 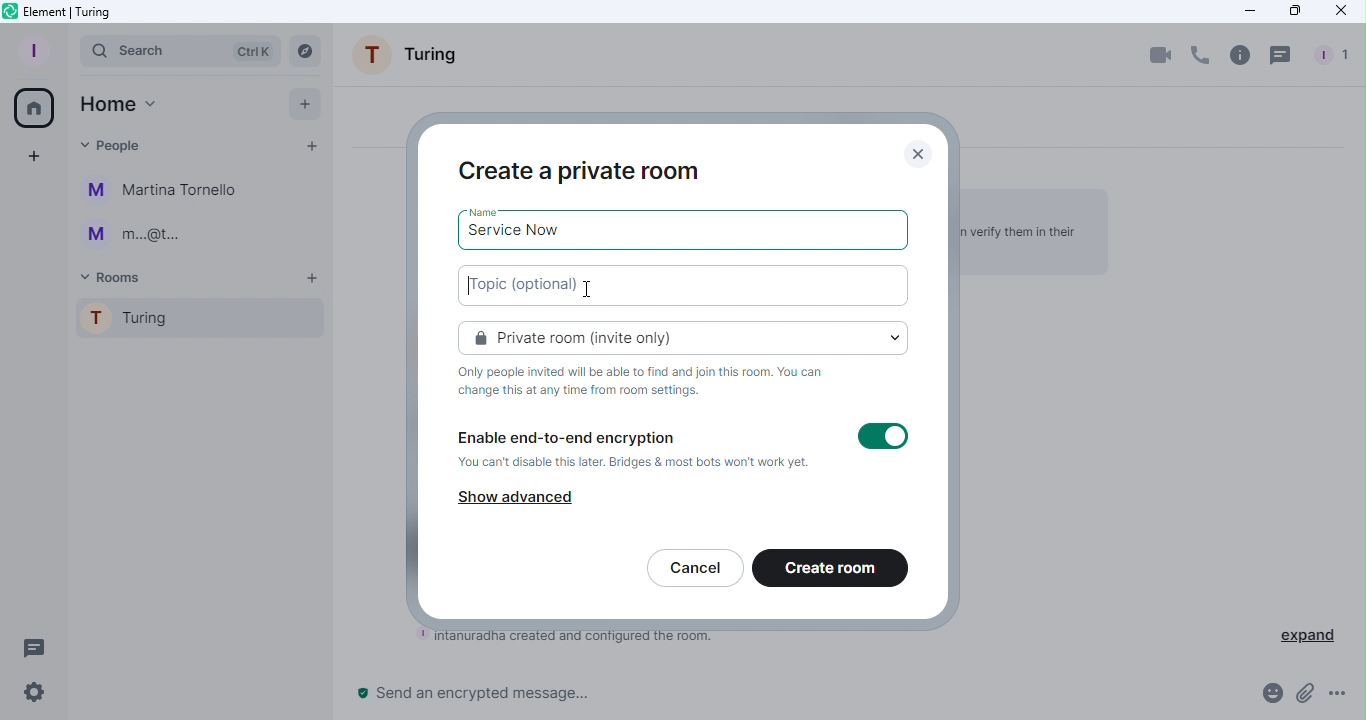 I want to click on Add room, so click(x=314, y=279).